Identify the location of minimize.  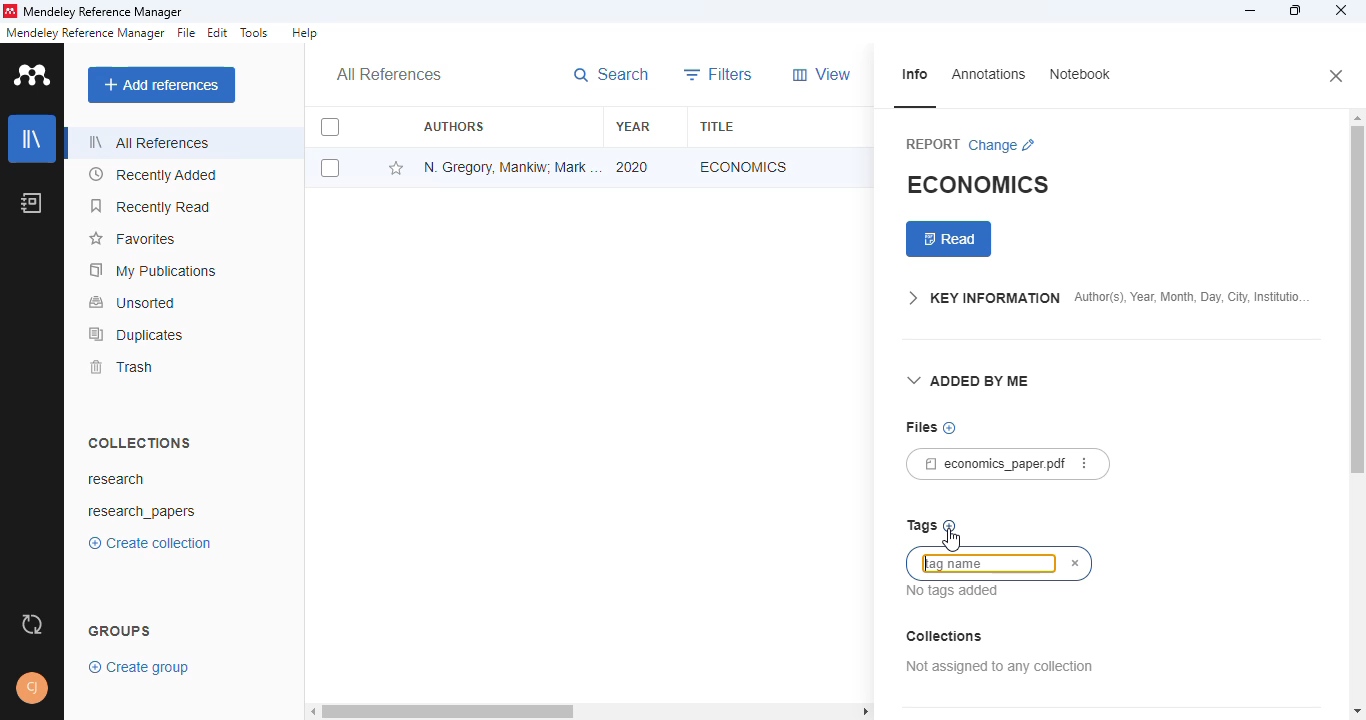
(1252, 10).